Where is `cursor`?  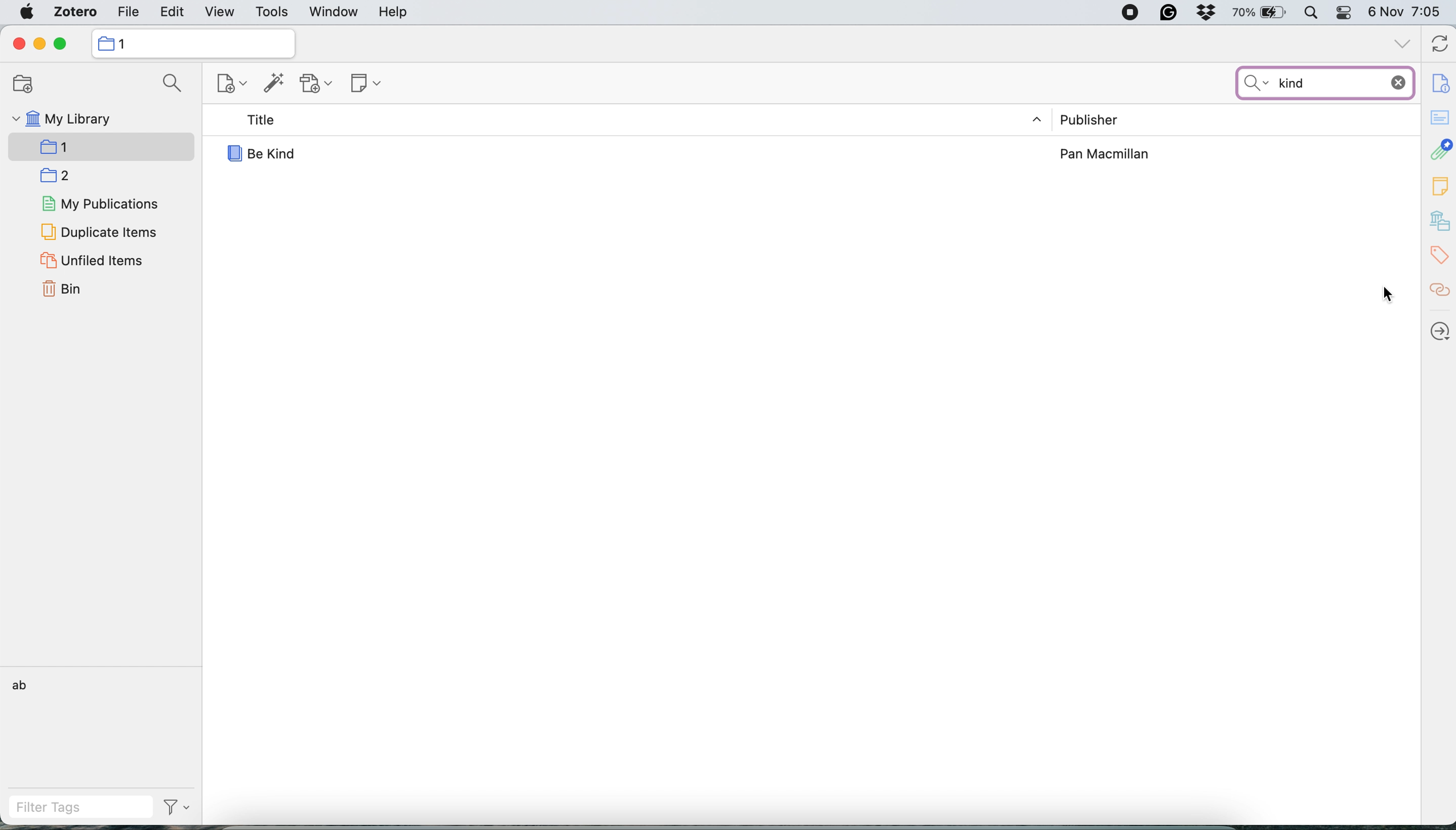 cursor is located at coordinates (1385, 296).